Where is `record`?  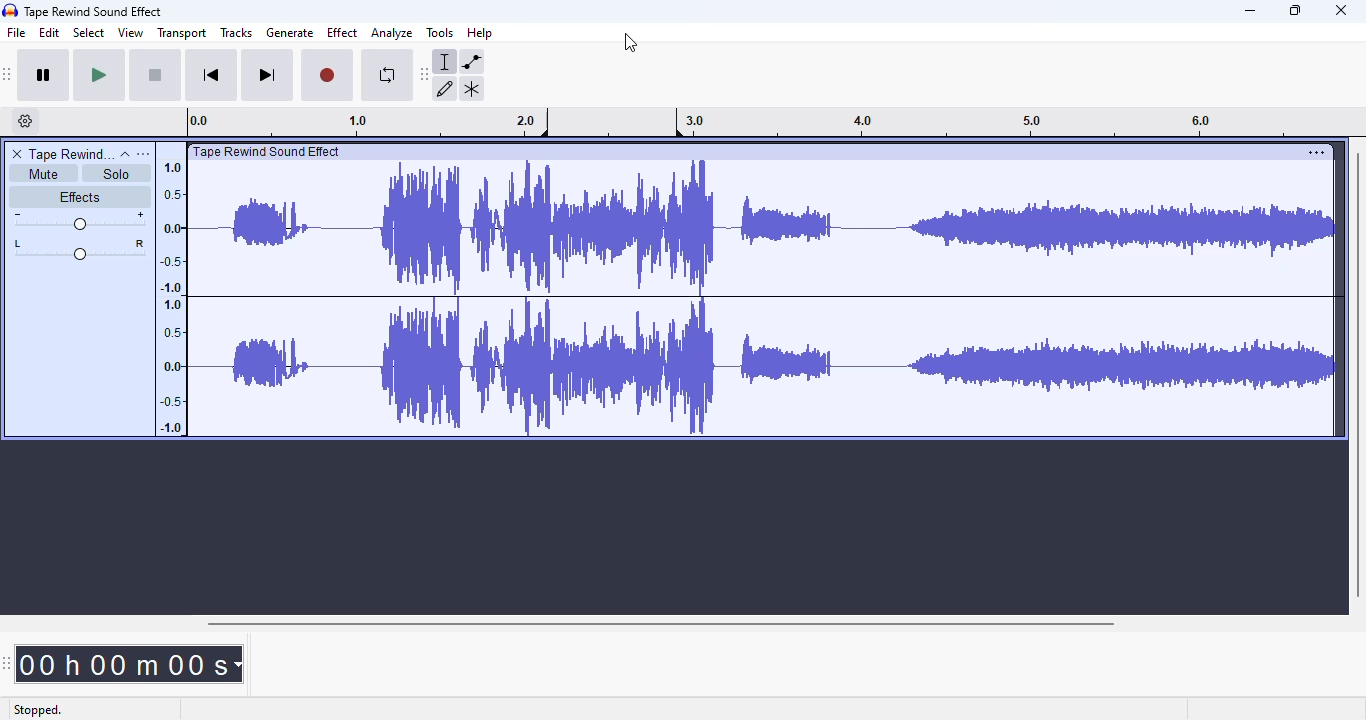
record is located at coordinates (328, 73).